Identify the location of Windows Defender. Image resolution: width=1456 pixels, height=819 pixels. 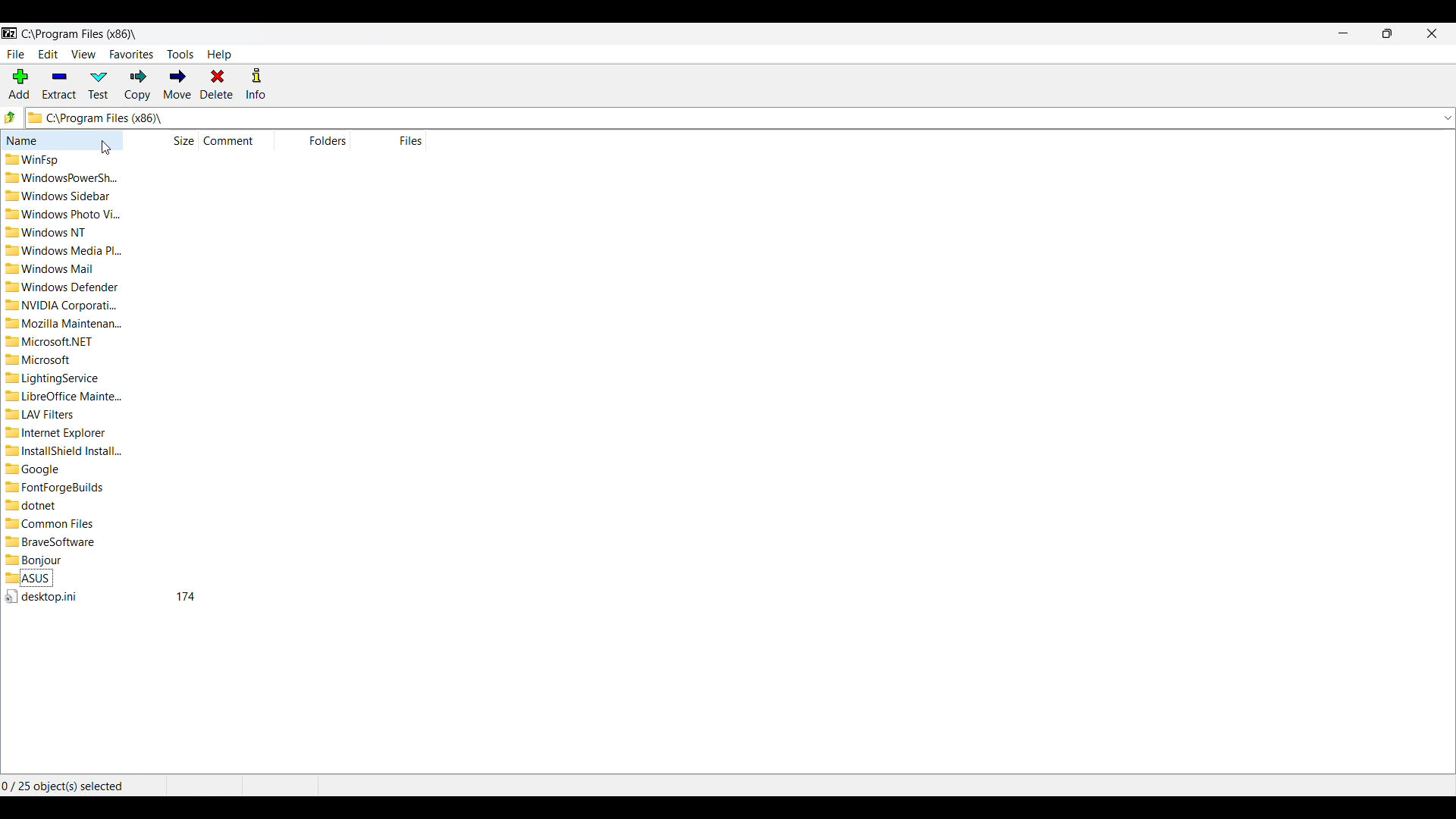
(67, 286).